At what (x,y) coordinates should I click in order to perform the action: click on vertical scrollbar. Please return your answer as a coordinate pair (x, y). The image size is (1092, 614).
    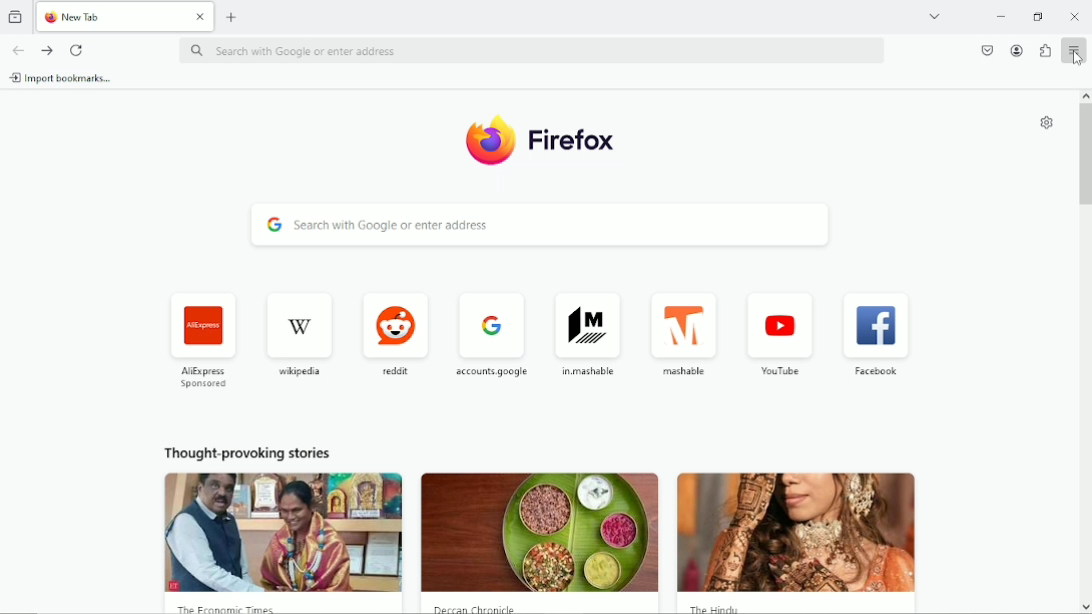
    Looking at the image, I should click on (1085, 161).